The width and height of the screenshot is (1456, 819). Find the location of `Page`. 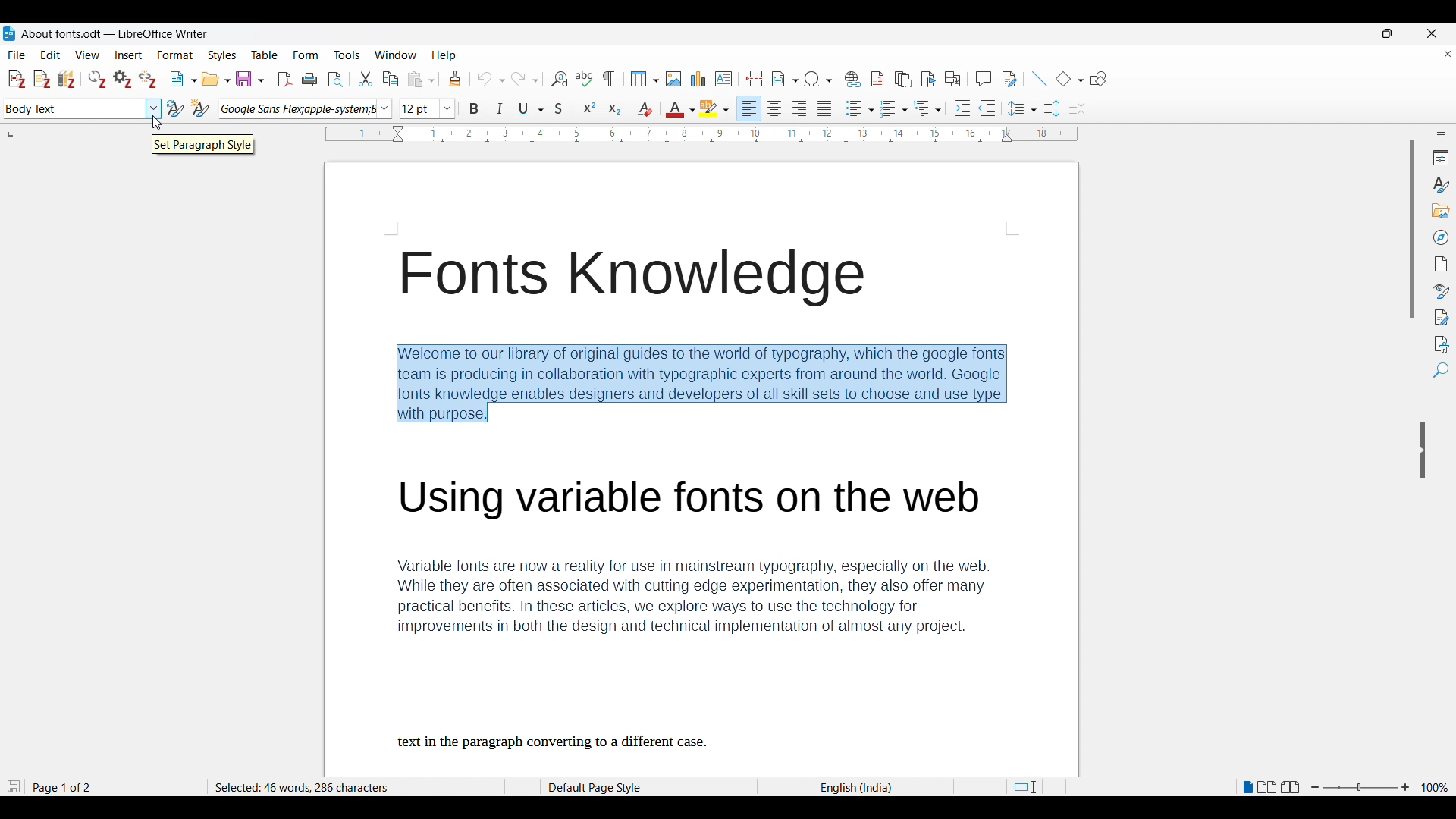

Page is located at coordinates (1441, 264).